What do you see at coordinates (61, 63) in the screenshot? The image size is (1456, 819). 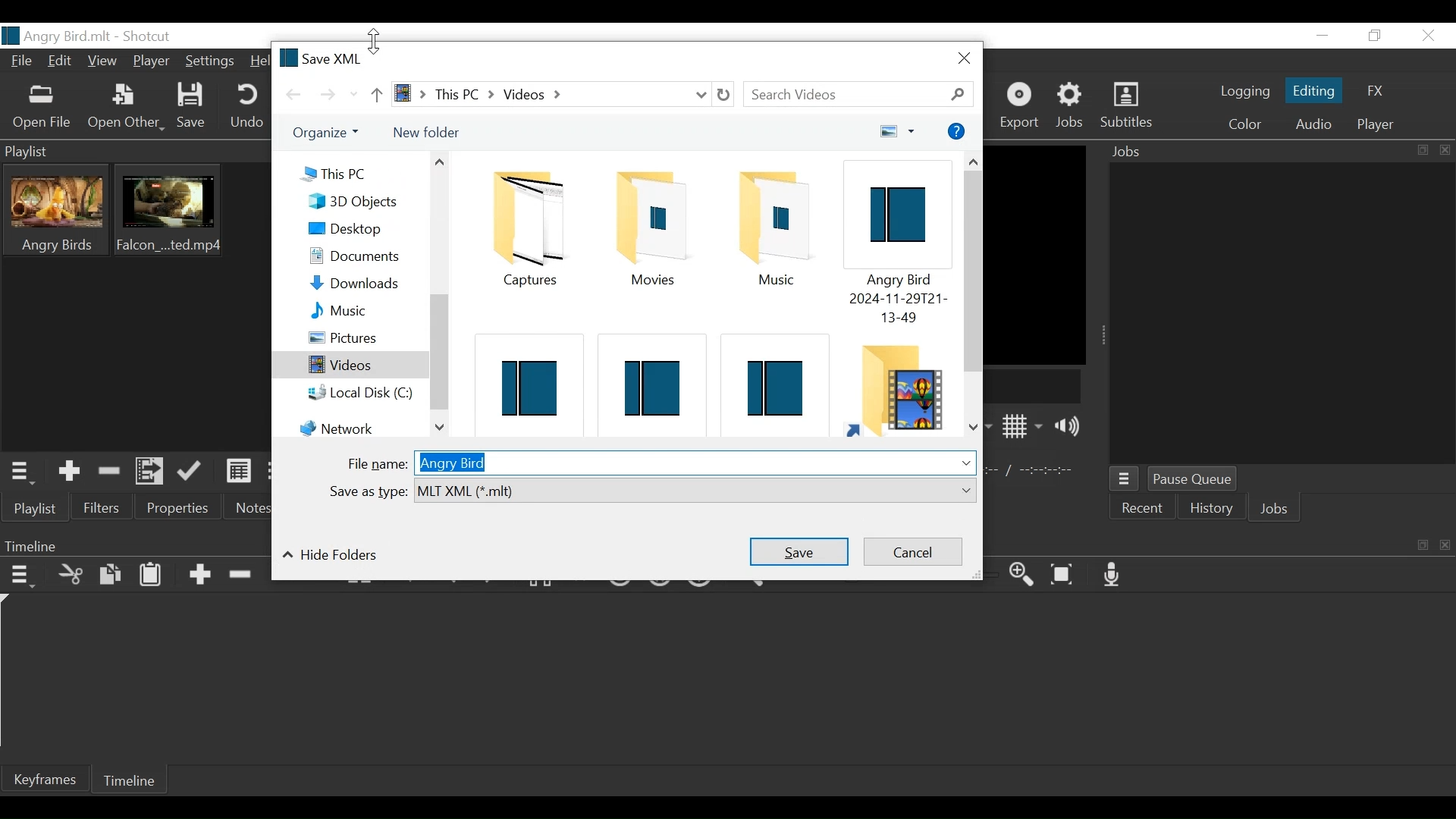 I see `Edit` at bounding box center [61, 63].